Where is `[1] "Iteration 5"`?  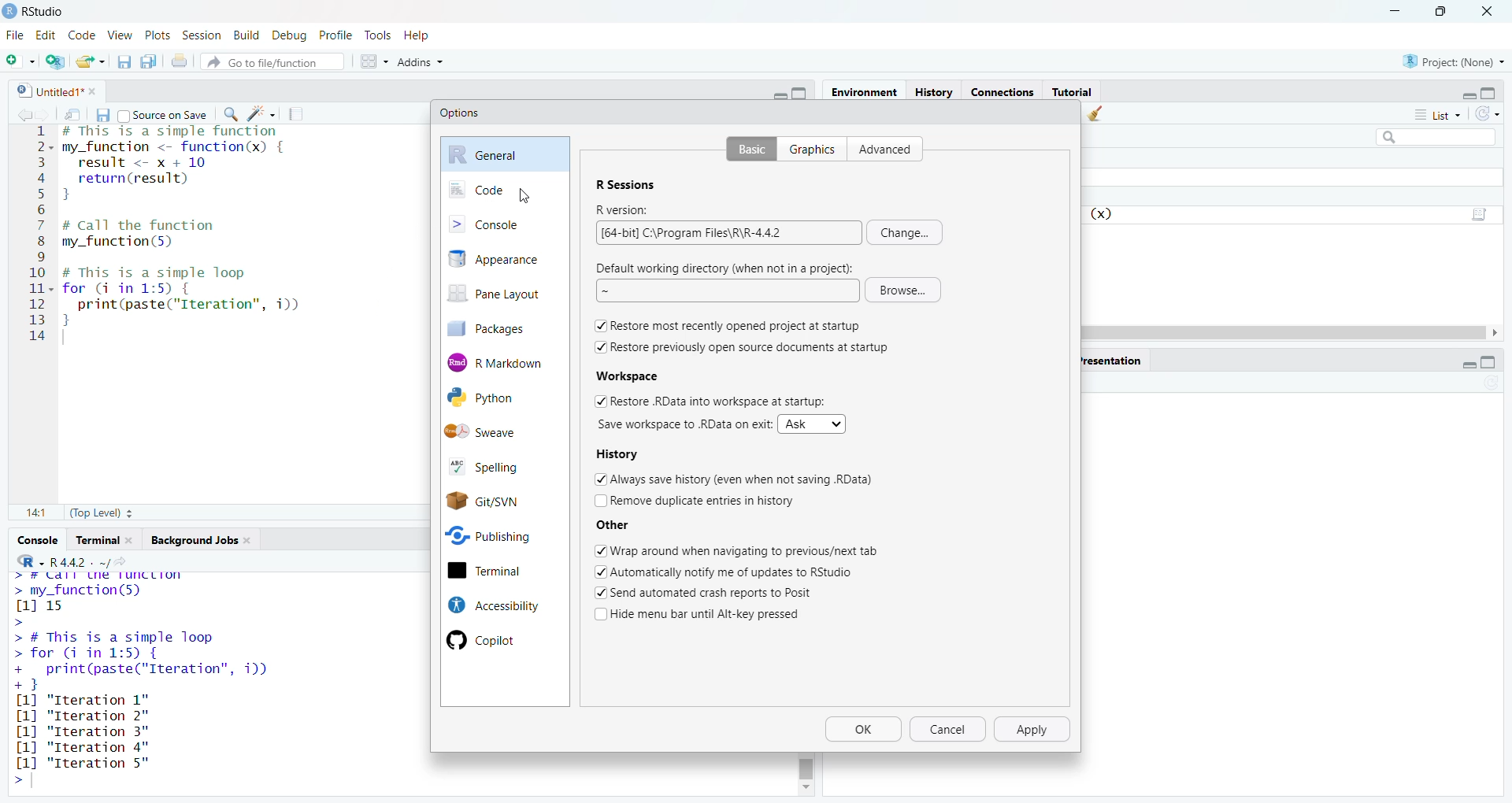 [1] "Iteration 5" is located at coordinates (80, 763).